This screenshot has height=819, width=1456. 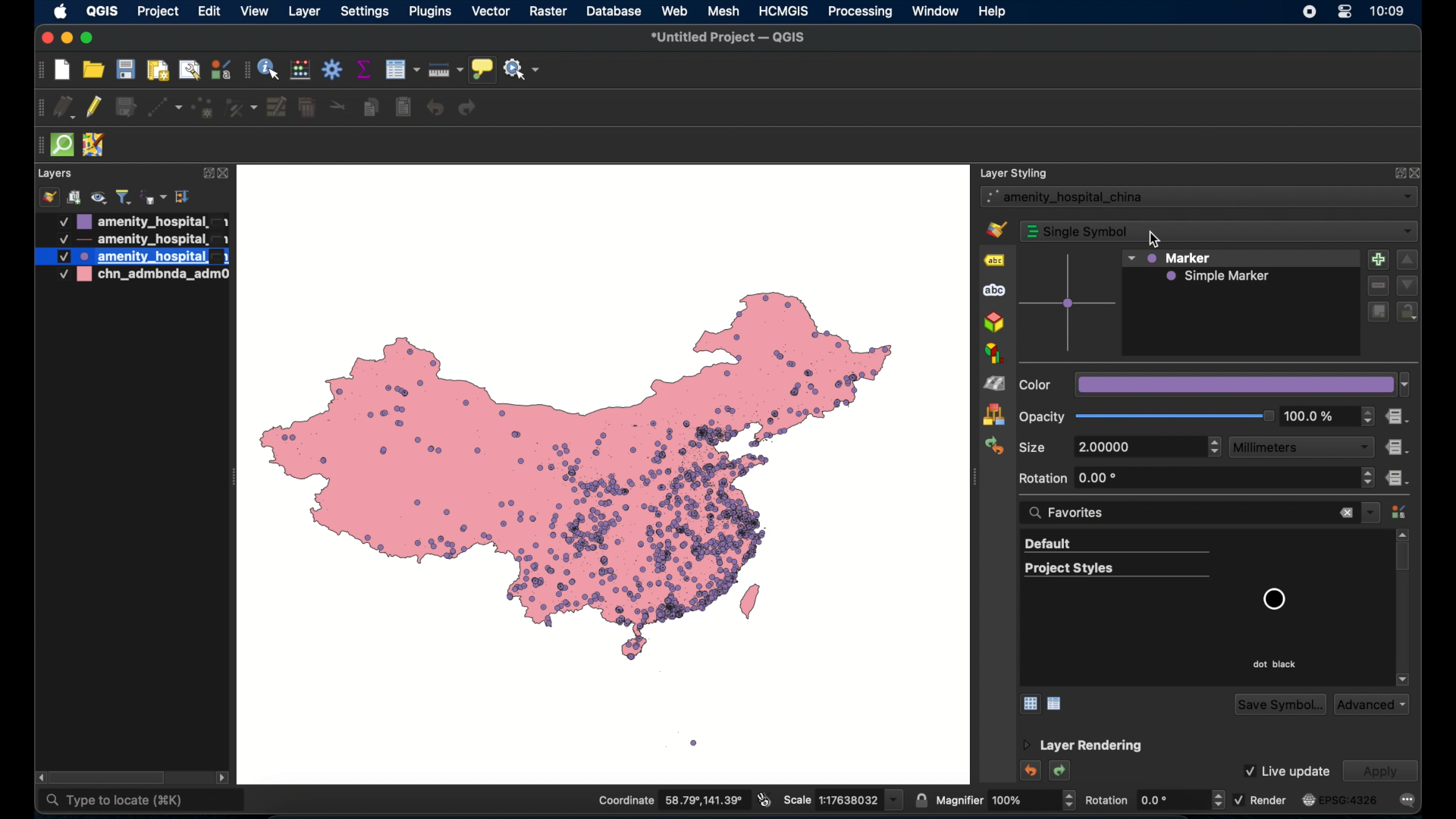 I want to click on edit, so click(x=209, y=11).